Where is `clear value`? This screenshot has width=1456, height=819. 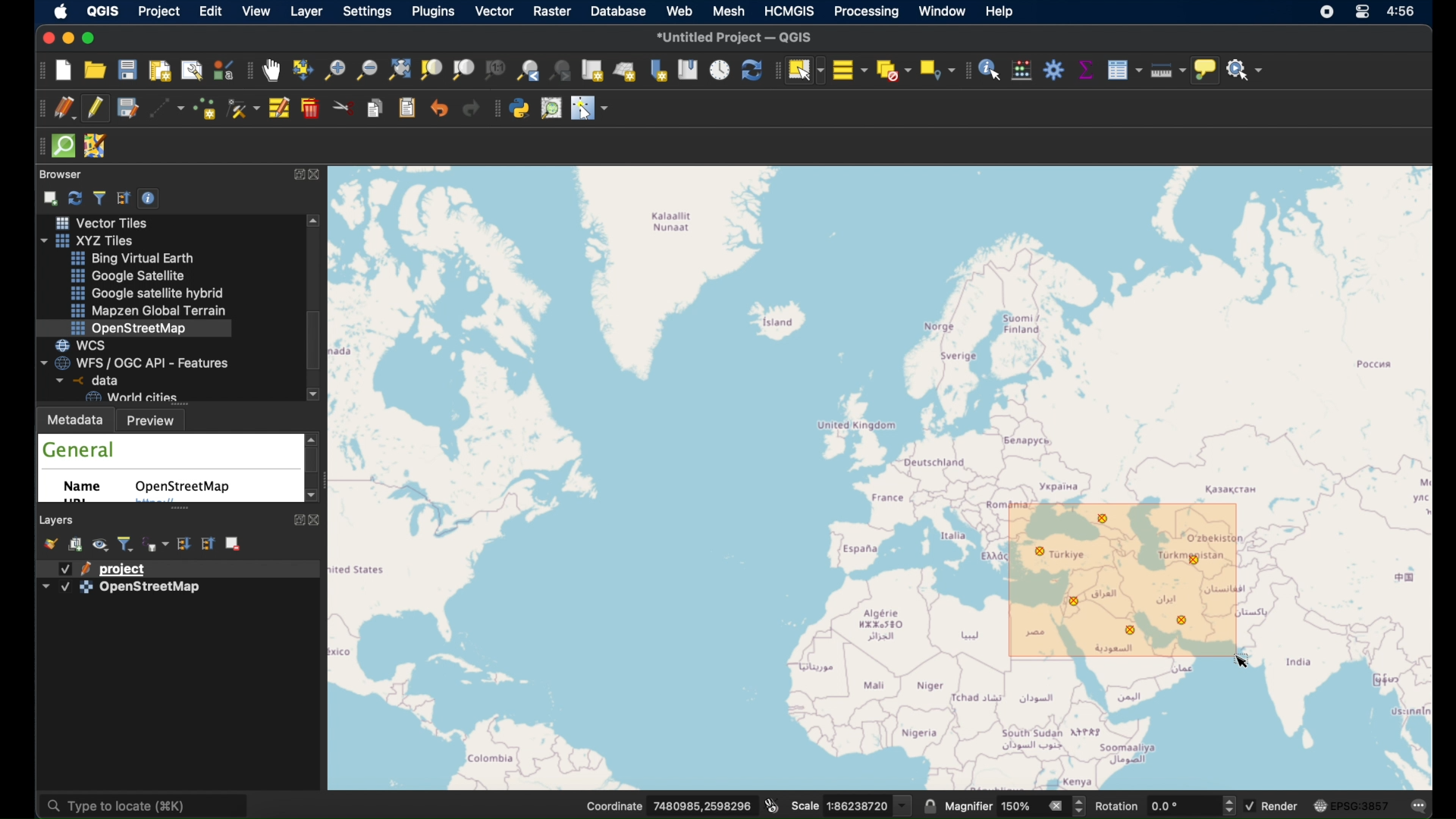 clear value is located at coordinates (1055, 805).